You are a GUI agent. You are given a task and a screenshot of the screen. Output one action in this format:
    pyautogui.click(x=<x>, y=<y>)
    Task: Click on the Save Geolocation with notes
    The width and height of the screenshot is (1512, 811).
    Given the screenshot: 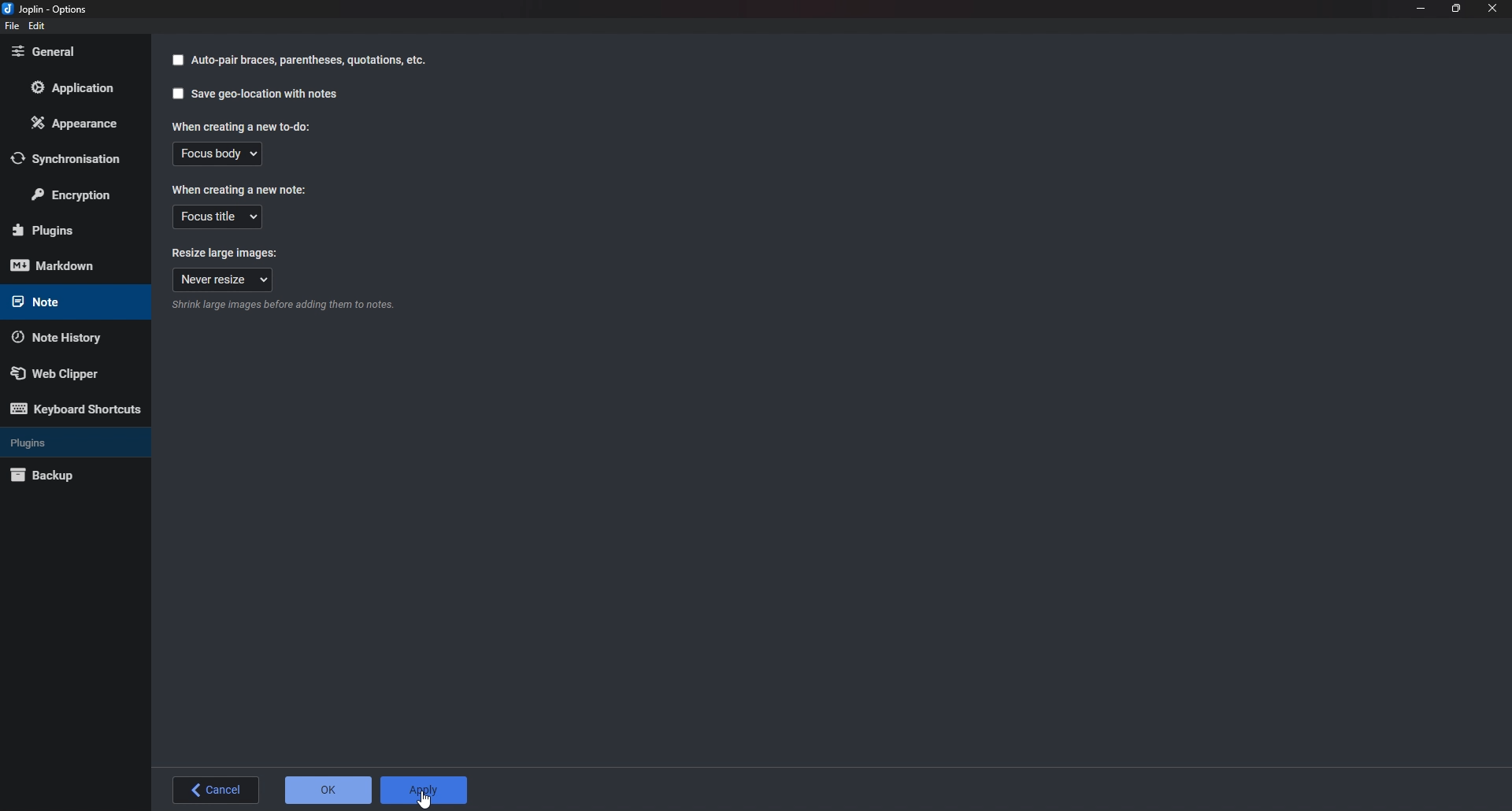 What is the action you would take?
    pyautogui.click(x=252, y=96)
    